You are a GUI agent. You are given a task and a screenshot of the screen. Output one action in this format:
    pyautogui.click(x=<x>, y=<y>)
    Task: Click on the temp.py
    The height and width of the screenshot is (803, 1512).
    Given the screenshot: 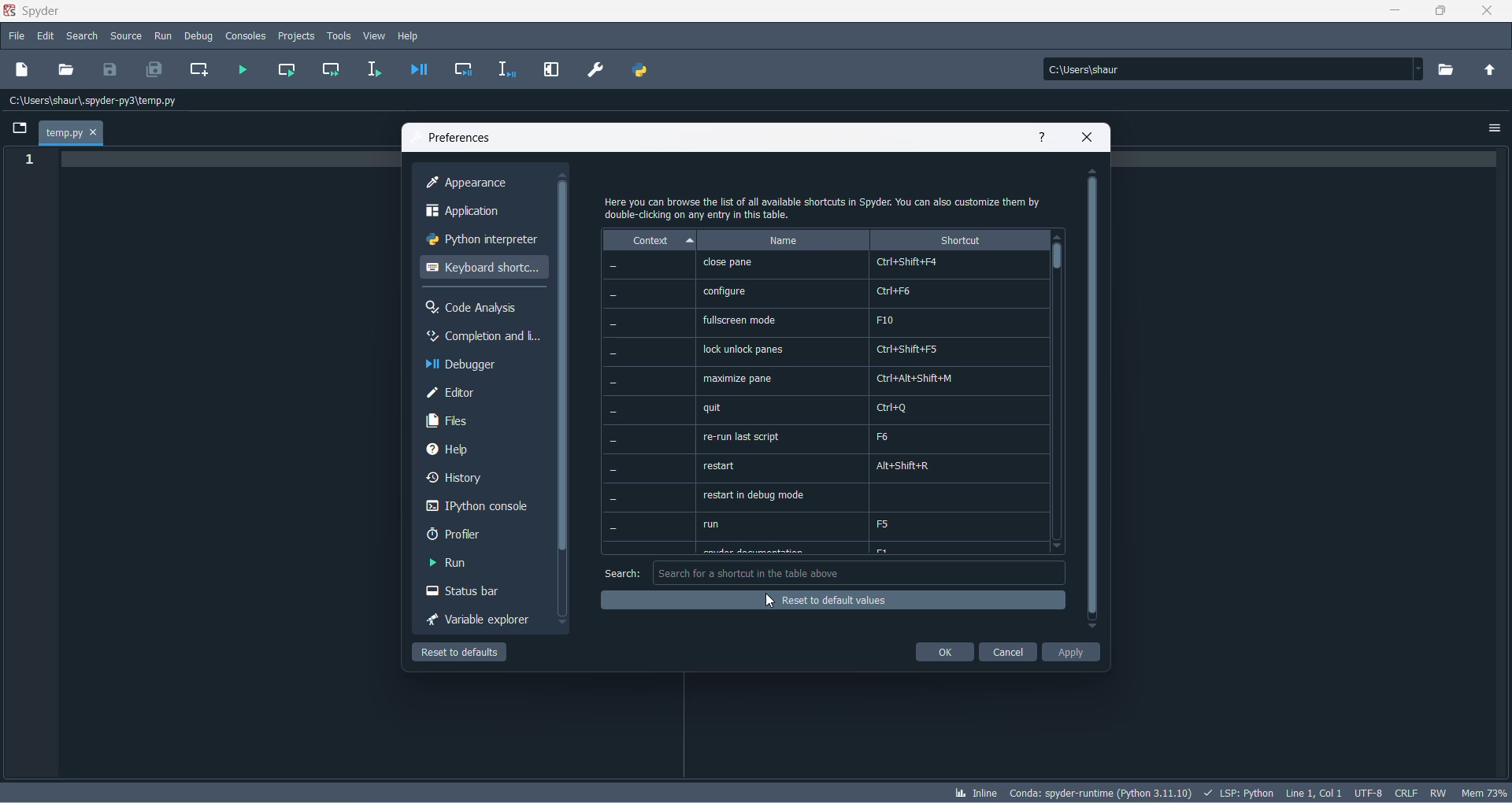 What is the action you would take?
    pyautogui.click(x=70, y=133)
    